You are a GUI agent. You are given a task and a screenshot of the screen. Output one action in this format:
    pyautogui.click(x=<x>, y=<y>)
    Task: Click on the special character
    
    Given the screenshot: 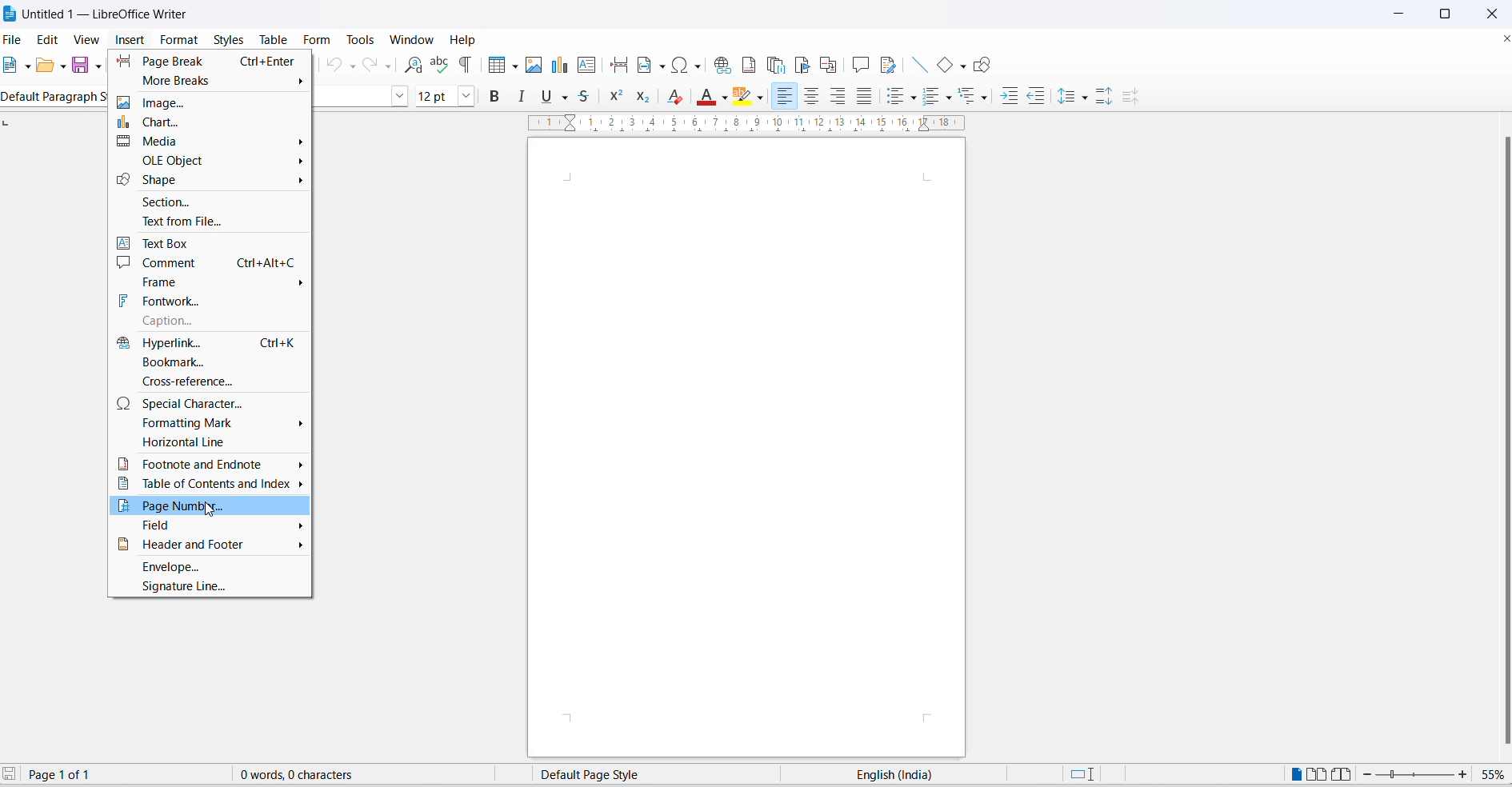 What is the action you would take?
    pyautogui.click(x=209, y=404)
    